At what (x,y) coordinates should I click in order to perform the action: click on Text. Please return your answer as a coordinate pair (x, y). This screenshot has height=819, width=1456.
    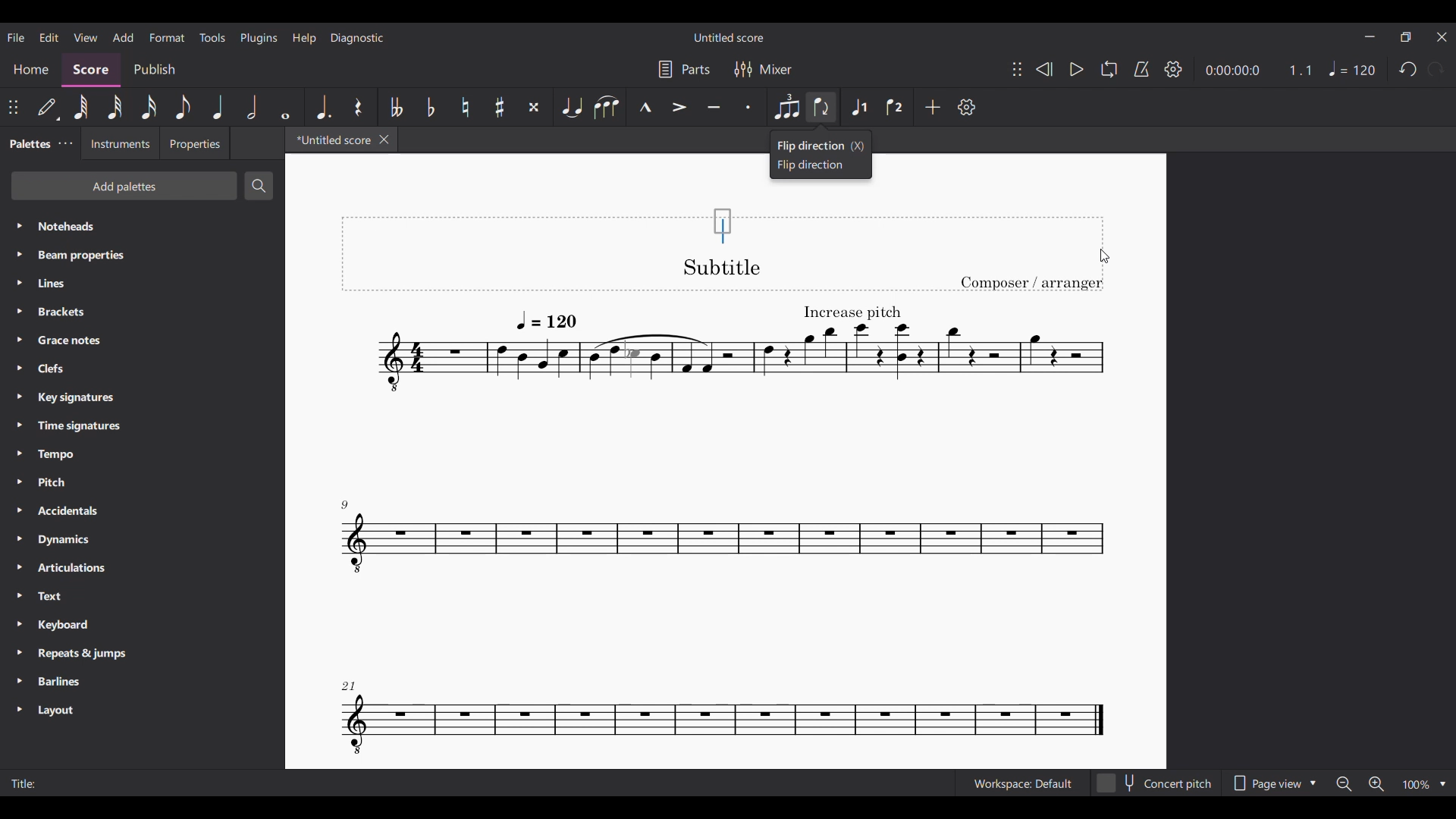
    Looking at the image, I should click on (143, 596).